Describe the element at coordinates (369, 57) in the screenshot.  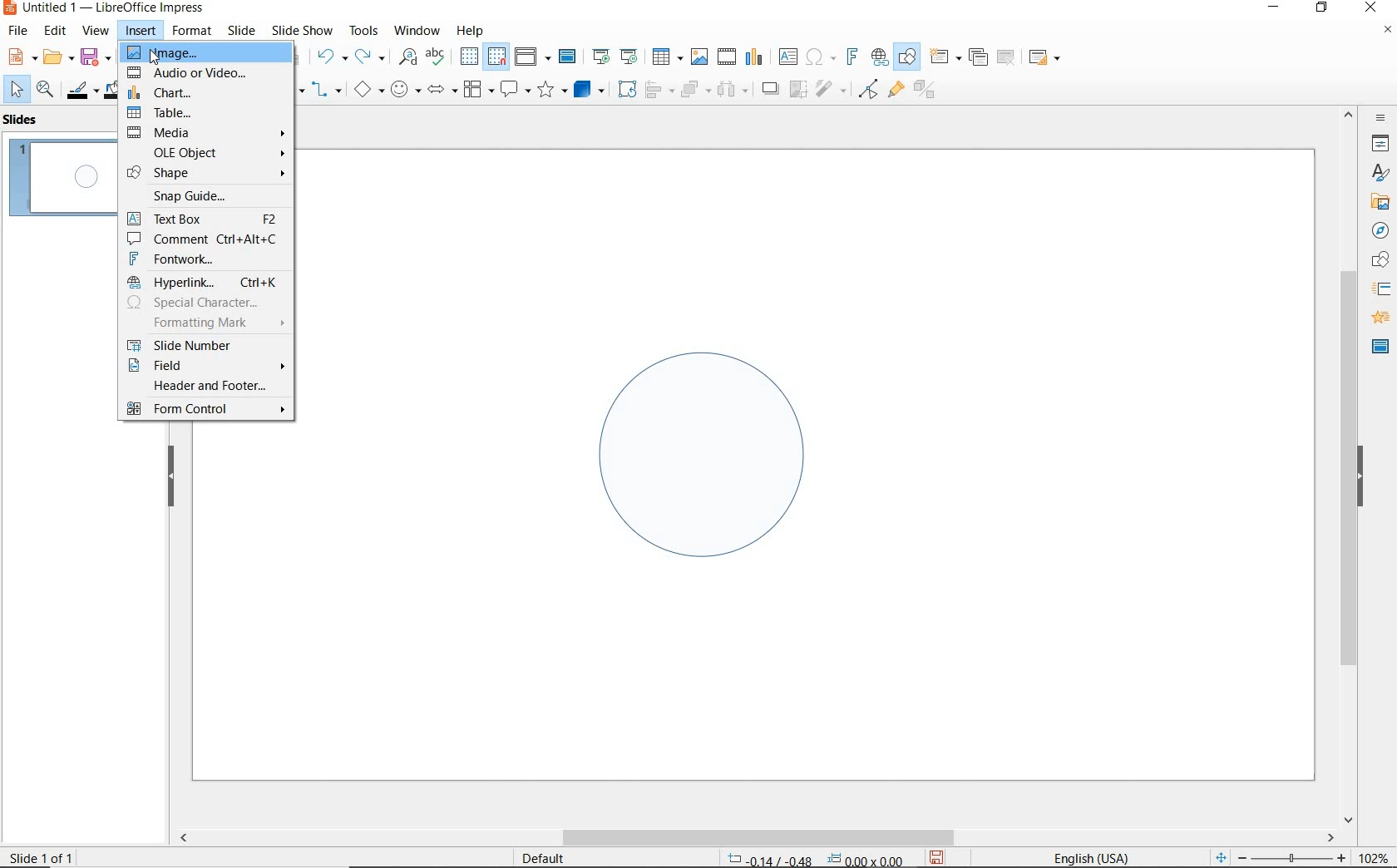
I see `redo` at that location.